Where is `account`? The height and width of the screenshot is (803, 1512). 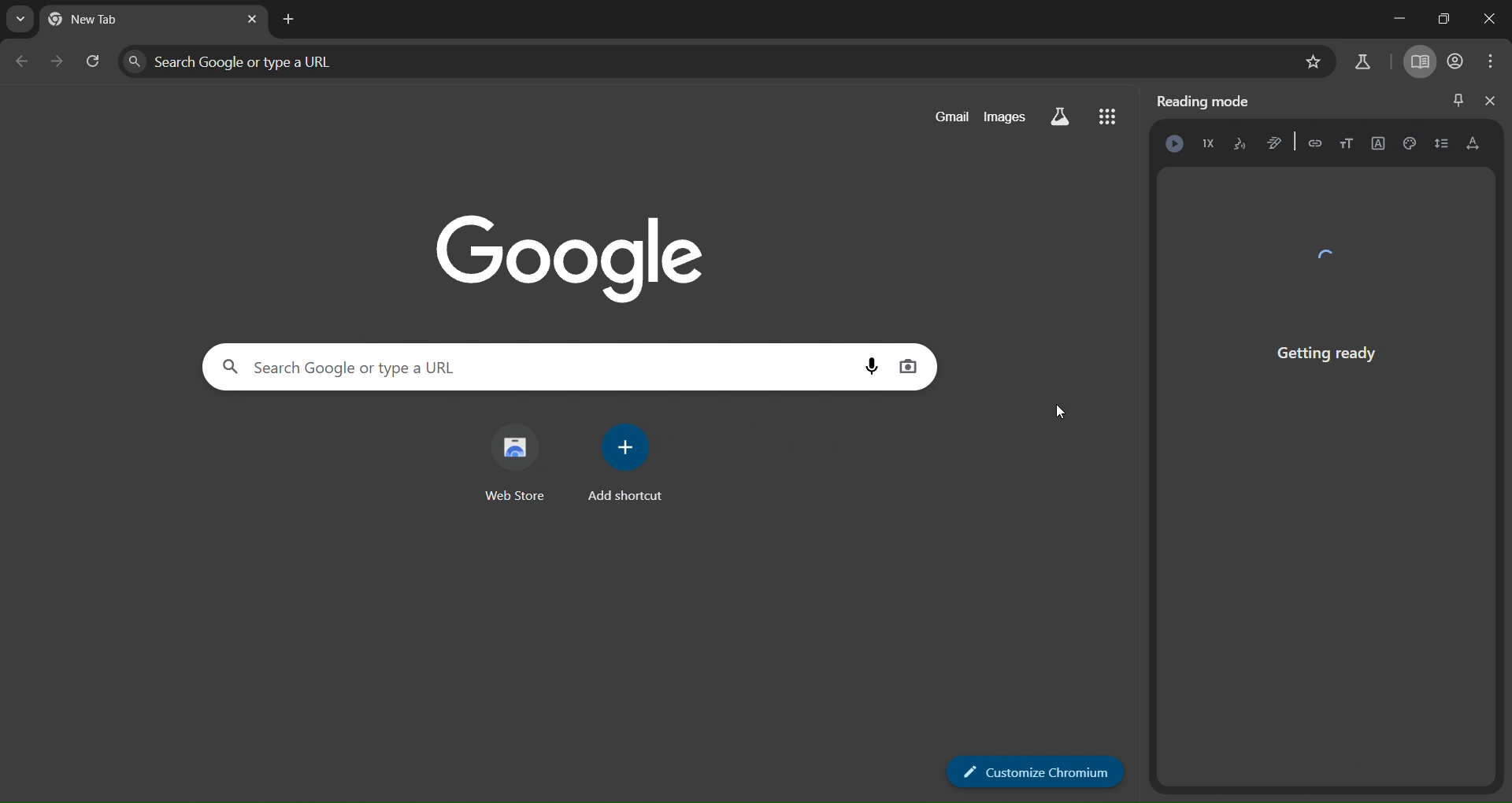
account is located at coordinates (1451, 62).